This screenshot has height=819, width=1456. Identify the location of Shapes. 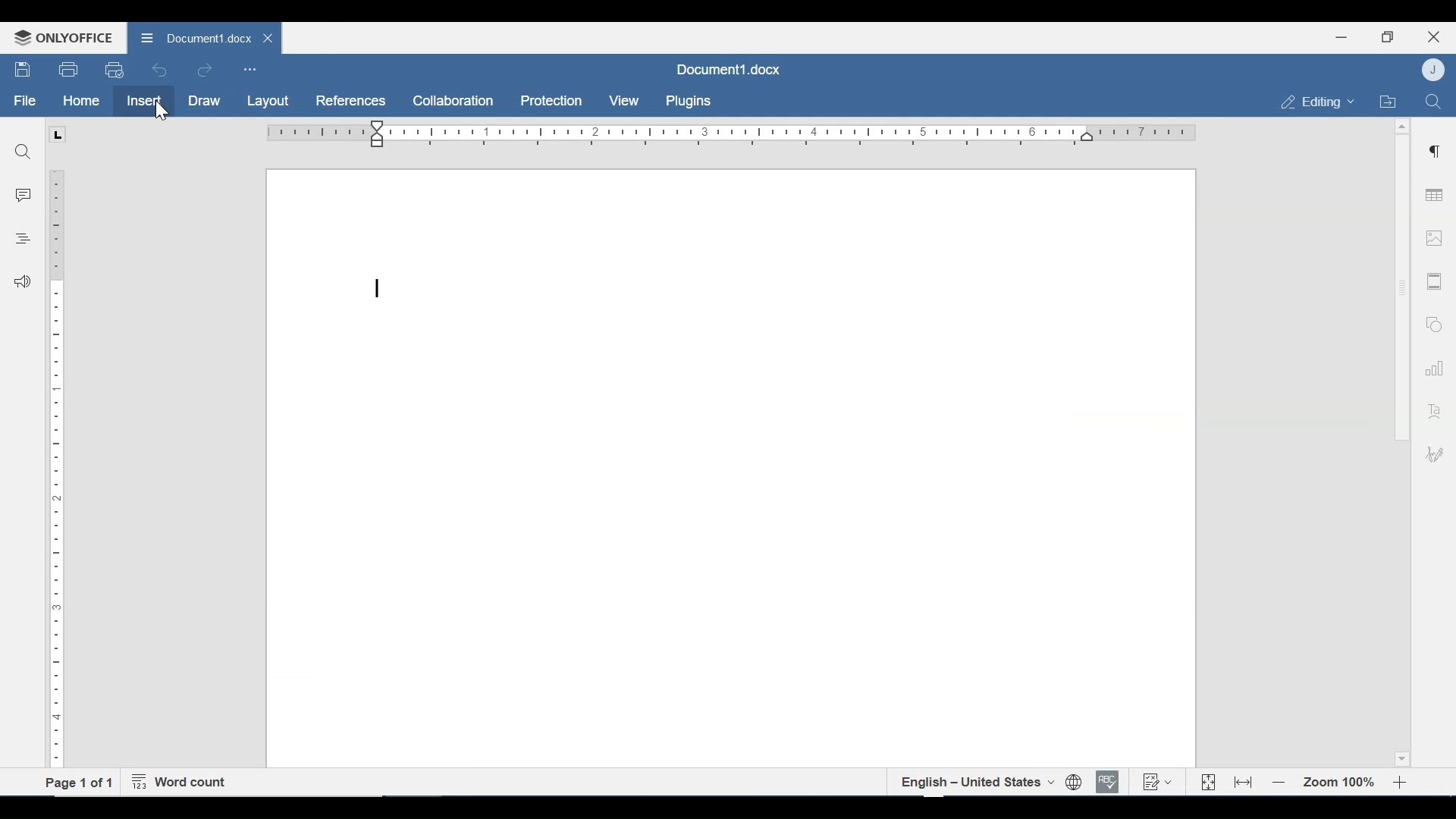
(1432, 322).